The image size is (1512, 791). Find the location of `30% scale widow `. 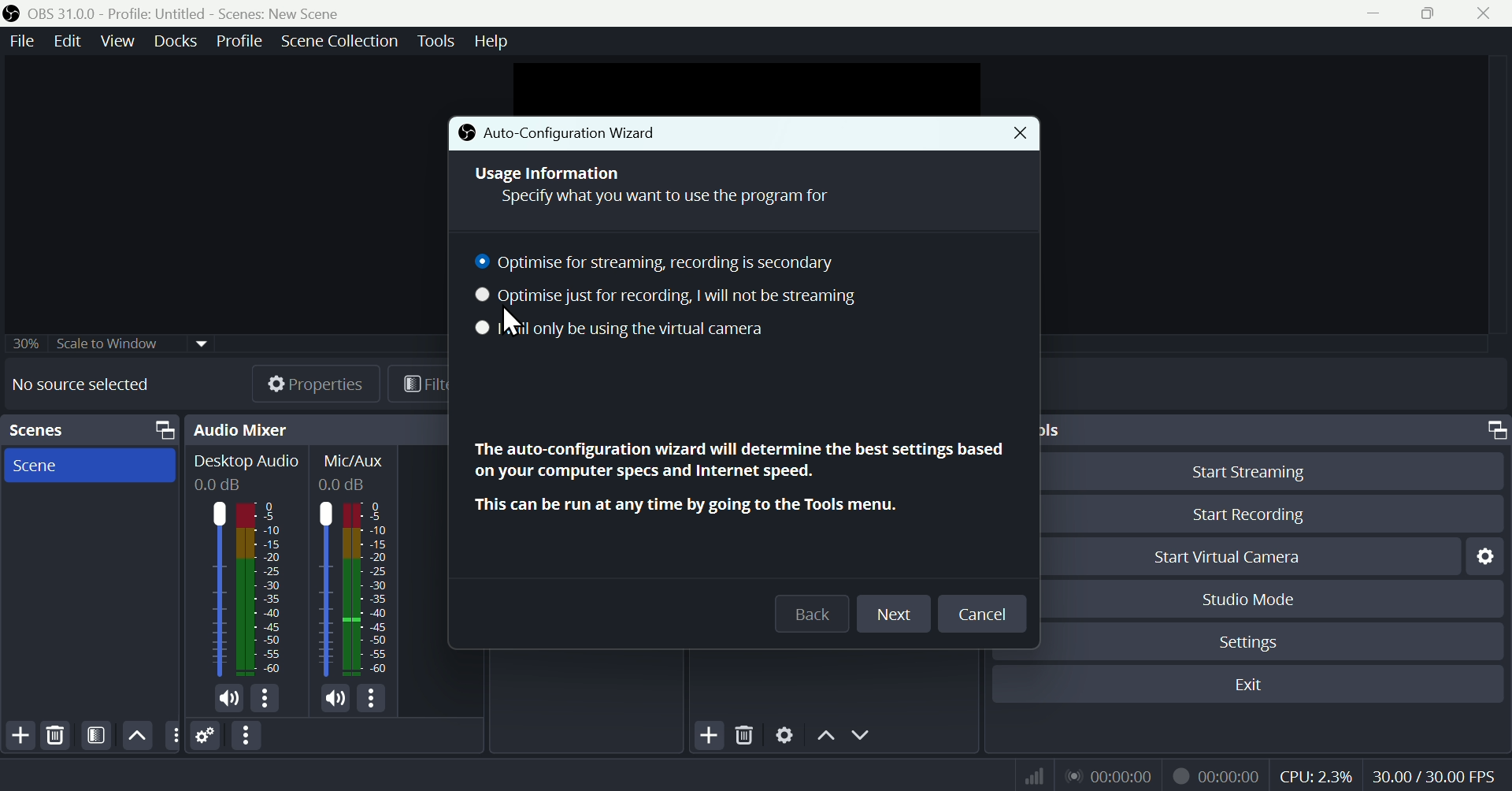

30% scale widow  is located at coordinates (132, 342).